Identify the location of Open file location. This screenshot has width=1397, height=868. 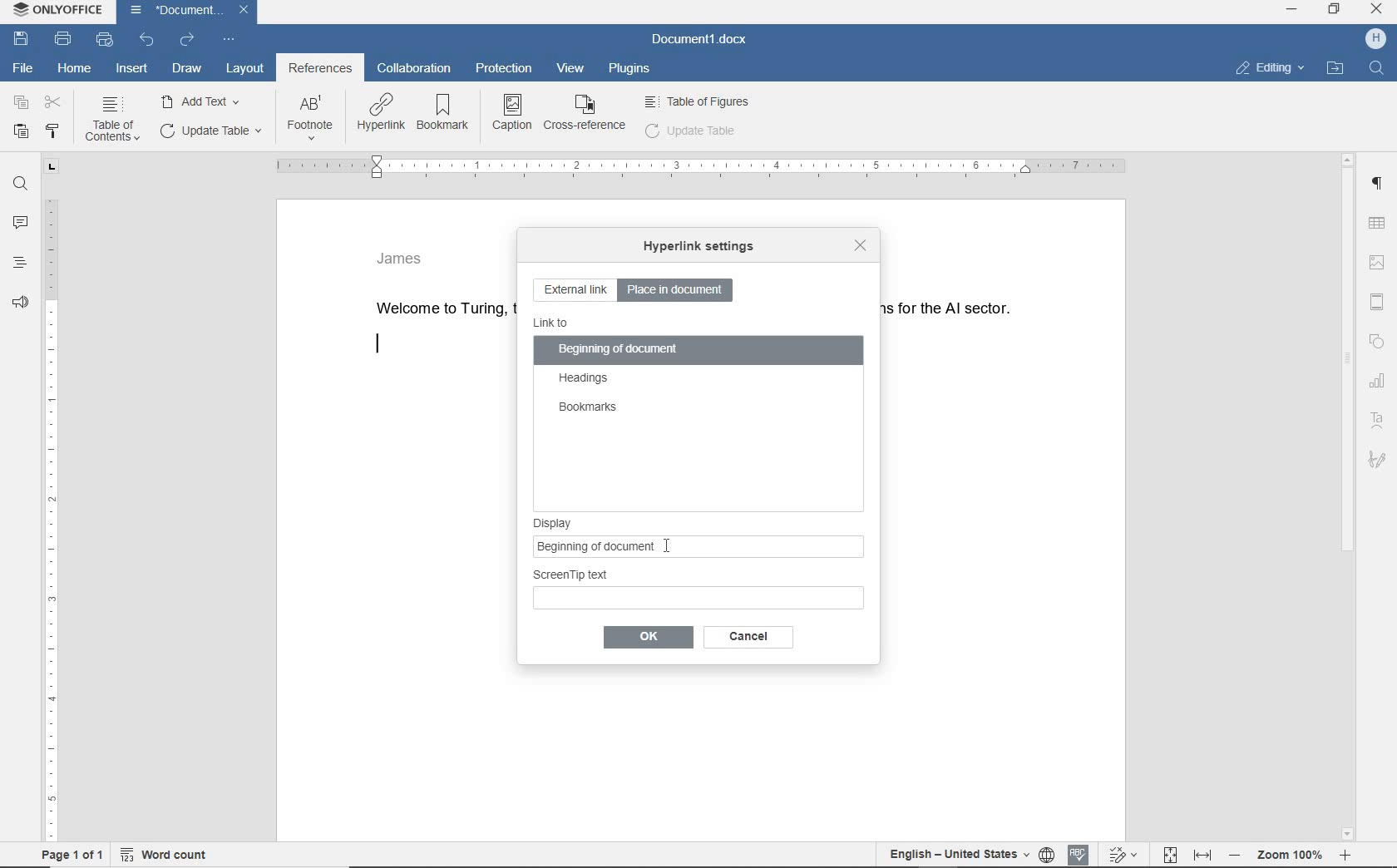
(1340, 65).